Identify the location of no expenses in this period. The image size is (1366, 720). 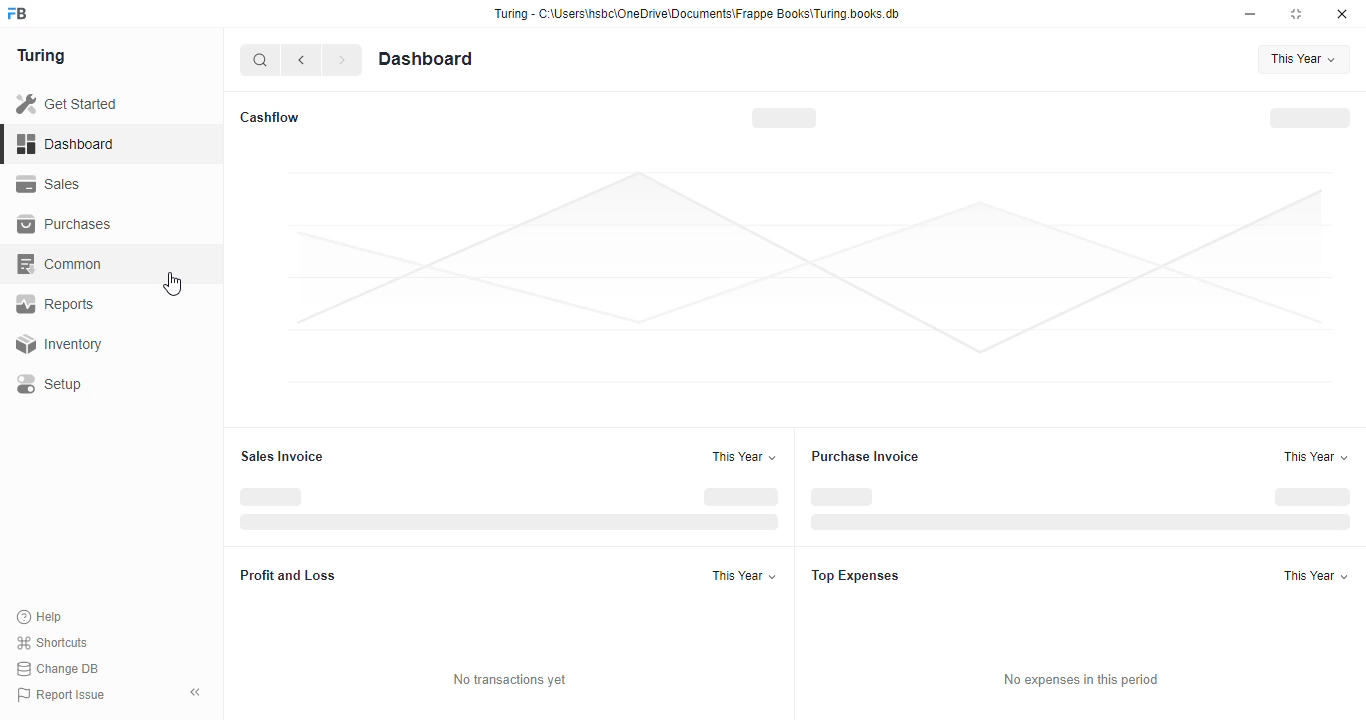
(1080, 679).